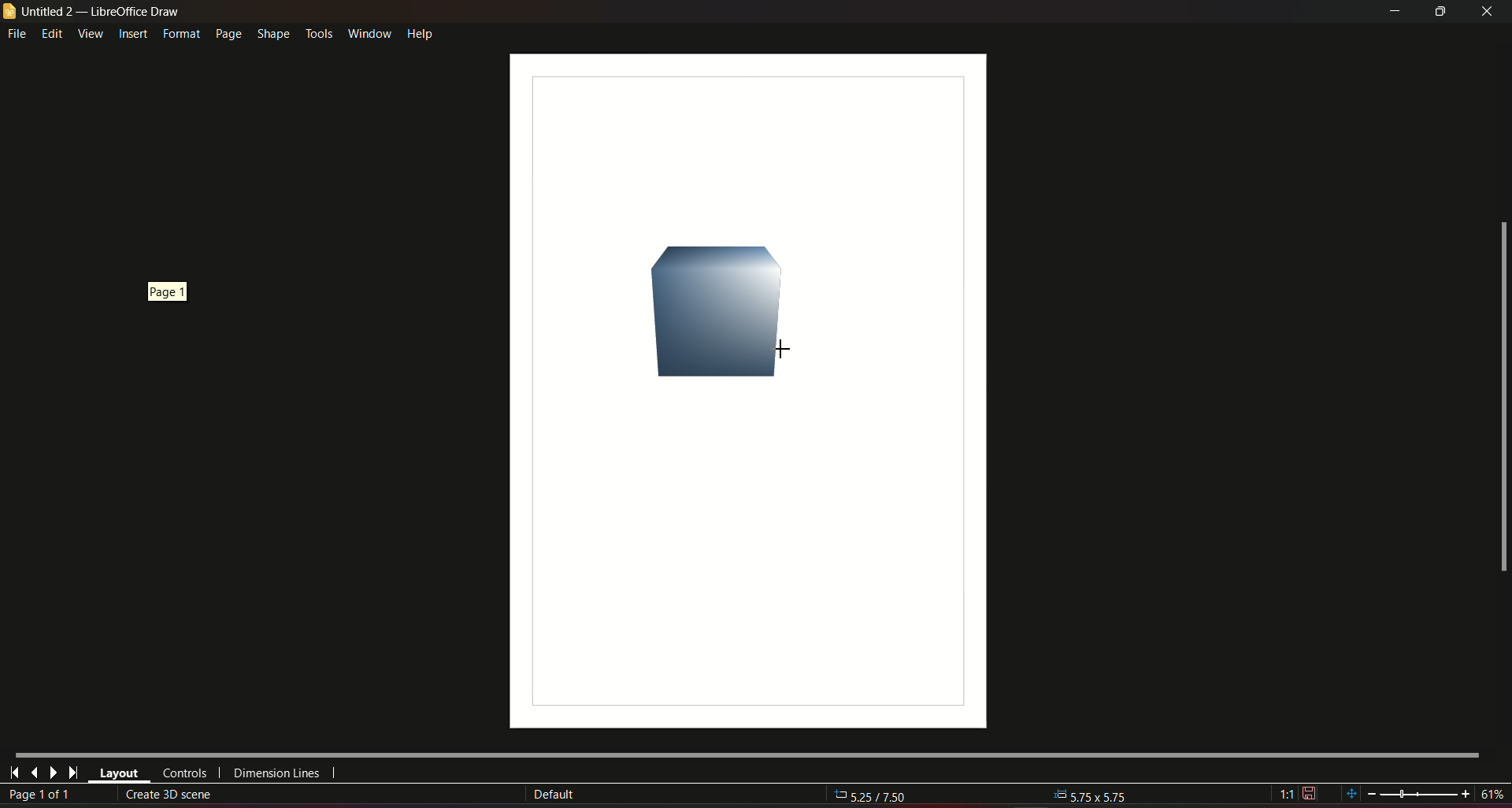 This screenshot has height=808, width=1512. Describe the element at coordinates (272, 32) in the screenshot. I see `shape` at that location.